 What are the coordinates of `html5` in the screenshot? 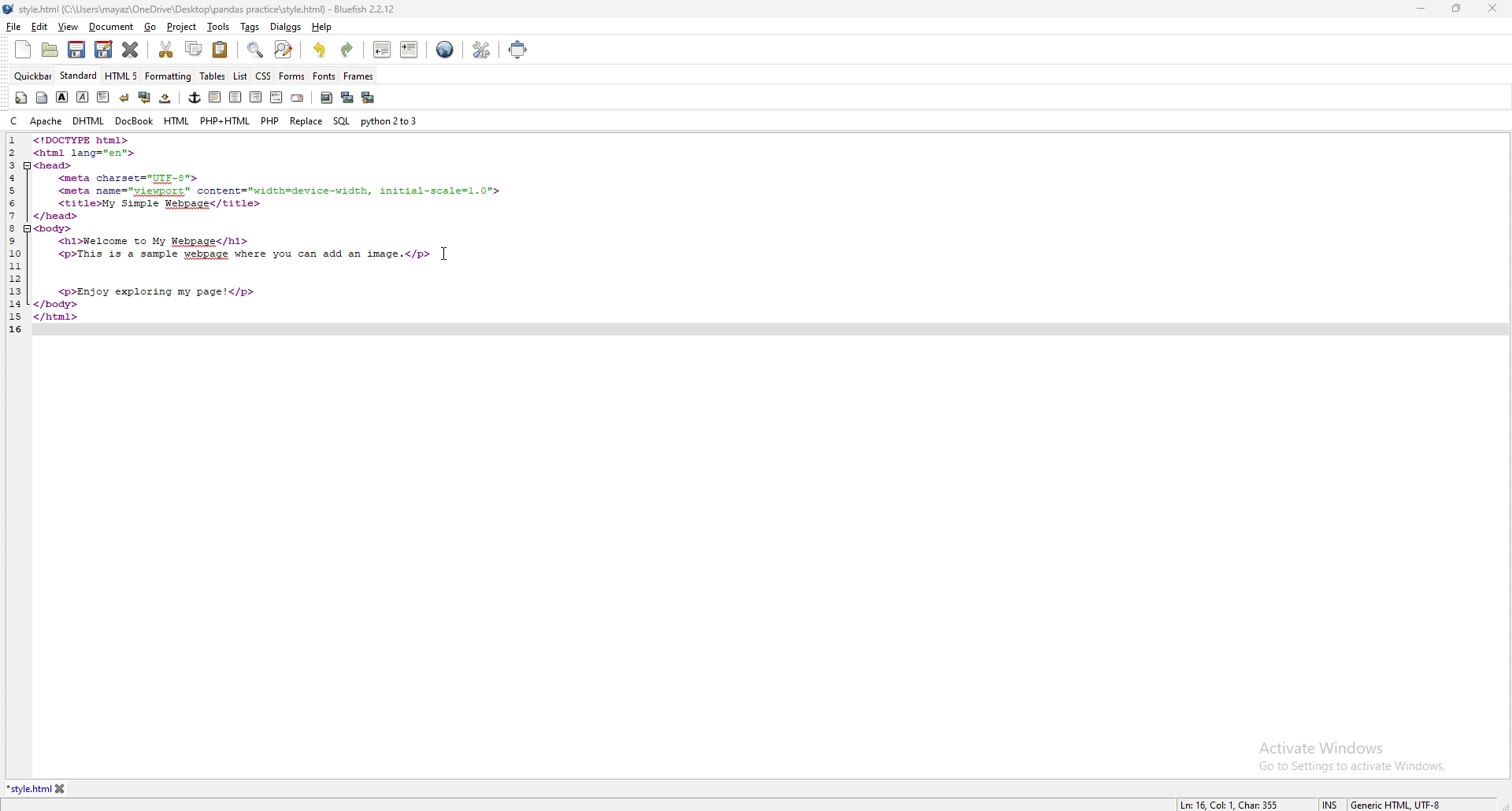 It's located at (121, 76).